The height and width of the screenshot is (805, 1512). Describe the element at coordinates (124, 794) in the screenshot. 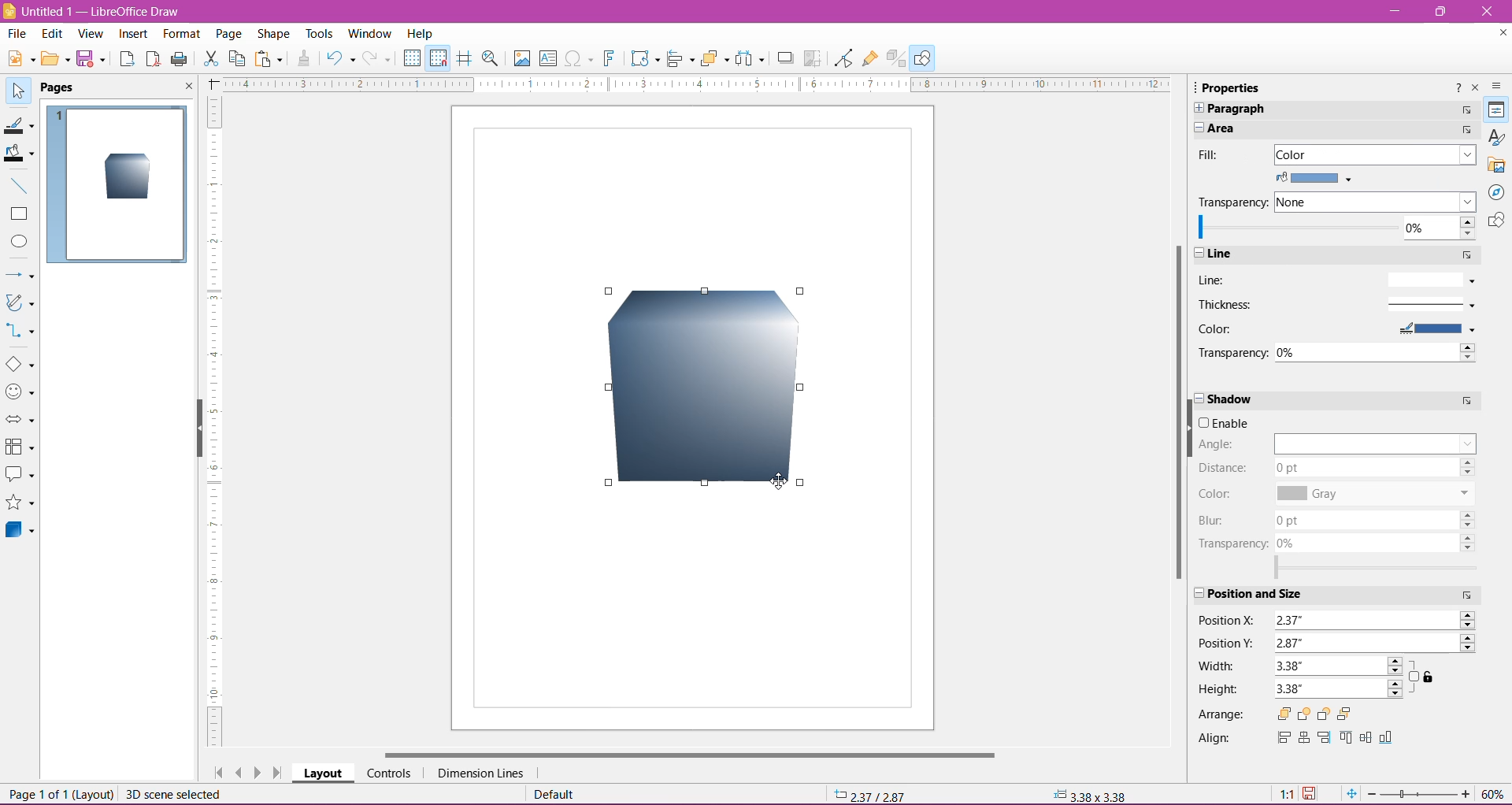

I see `Page 1 of 1 (Layout) scene selected` at that location.